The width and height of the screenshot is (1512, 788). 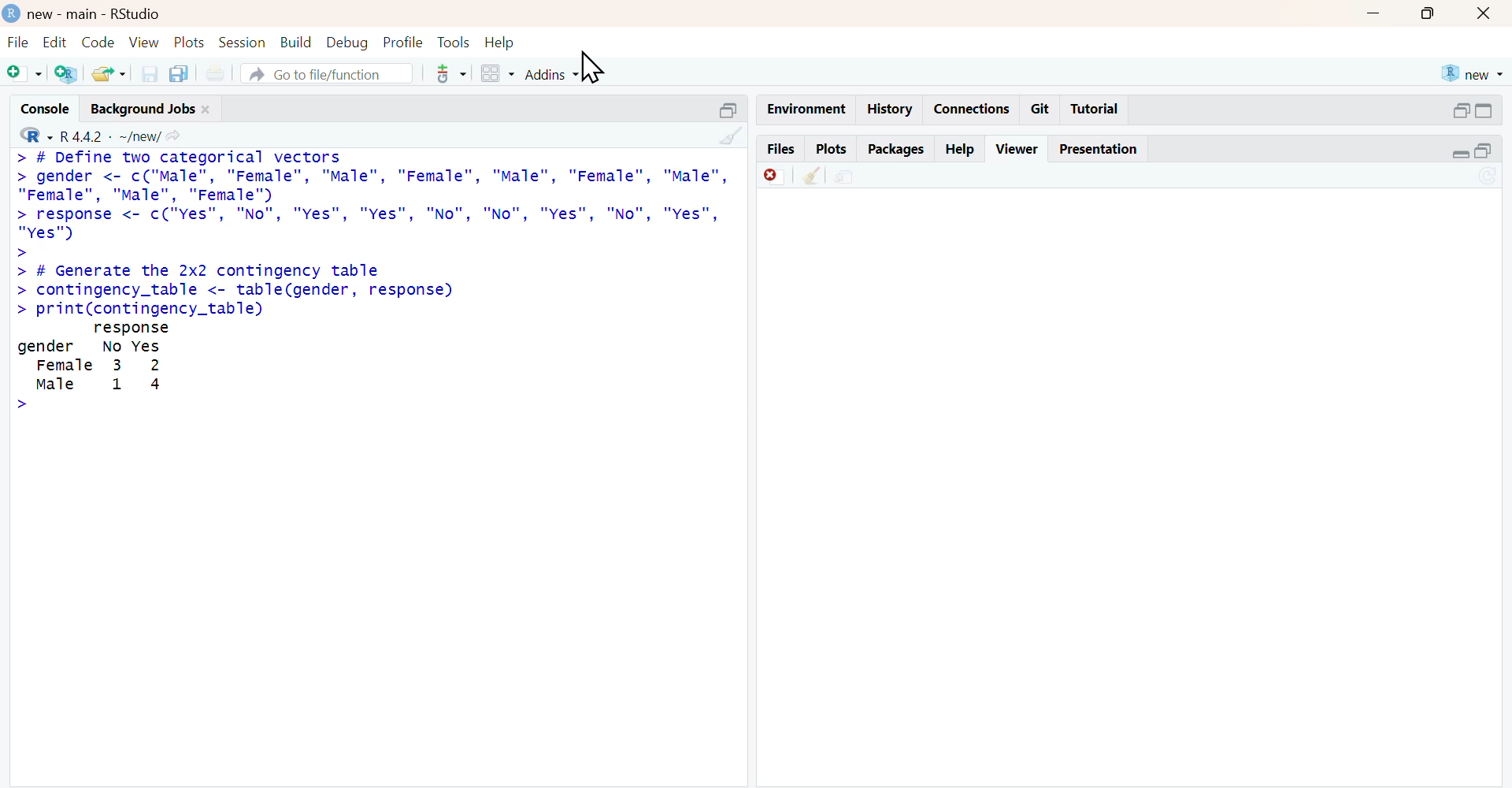 What do you see at coordinates (150, 74) in the screenshot?
I see `save` at bounding box center [150, 74].